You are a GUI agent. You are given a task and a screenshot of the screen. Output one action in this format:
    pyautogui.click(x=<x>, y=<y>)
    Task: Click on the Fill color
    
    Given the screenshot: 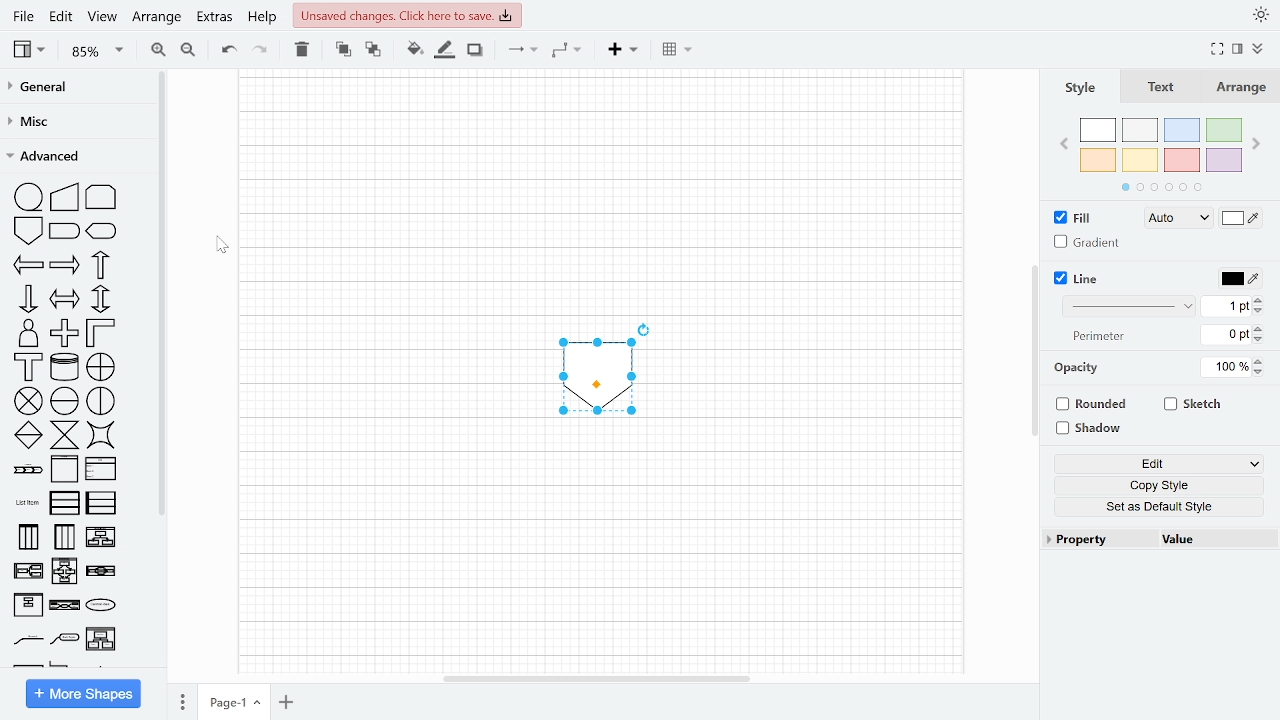 What is the action you would take?
    pyautogui.click(x=414, y=52)
    